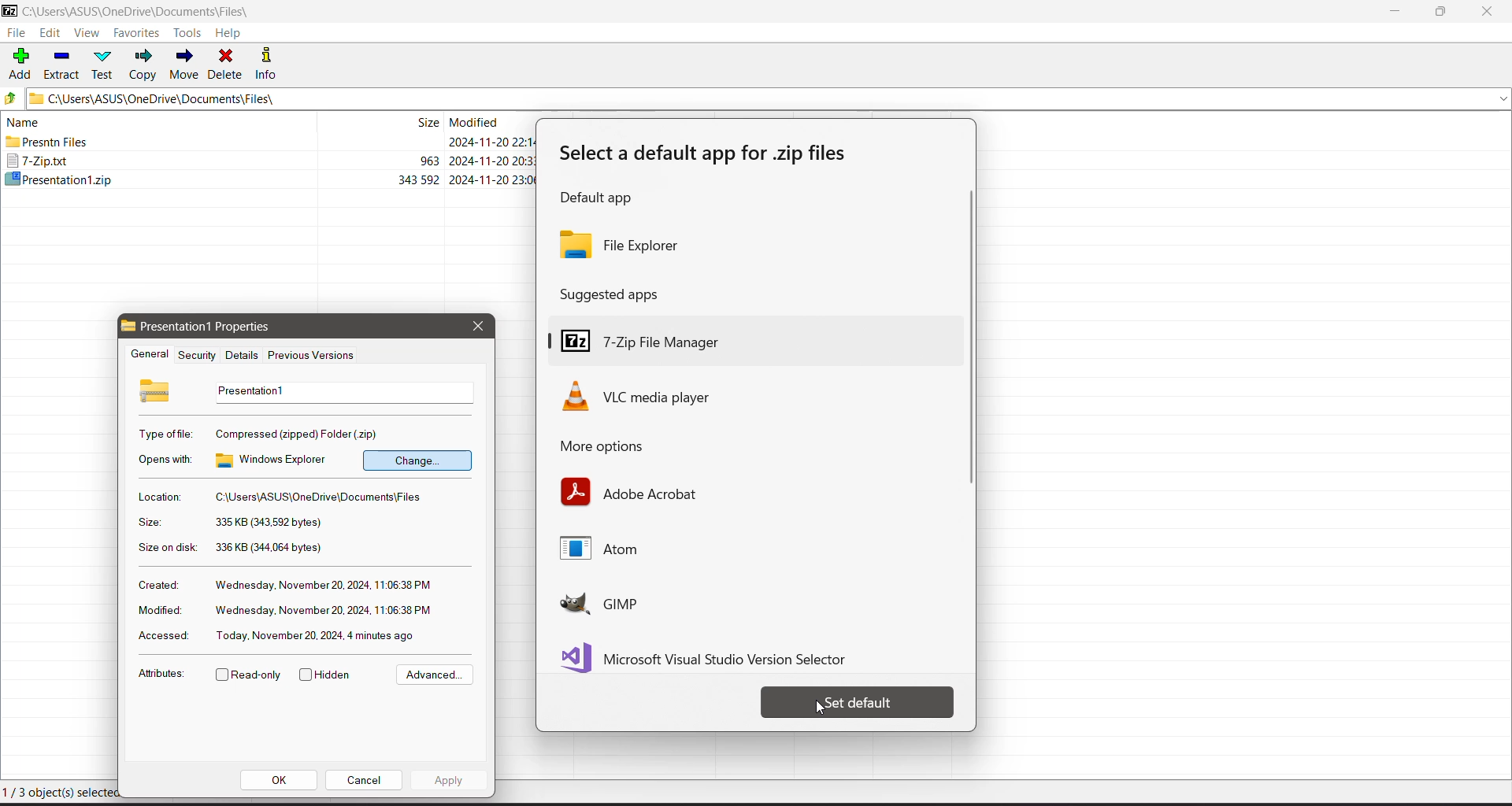 The height and width of the screenshot is (806, 1512). I want to click on Current Folder Path, so click(148, 12).